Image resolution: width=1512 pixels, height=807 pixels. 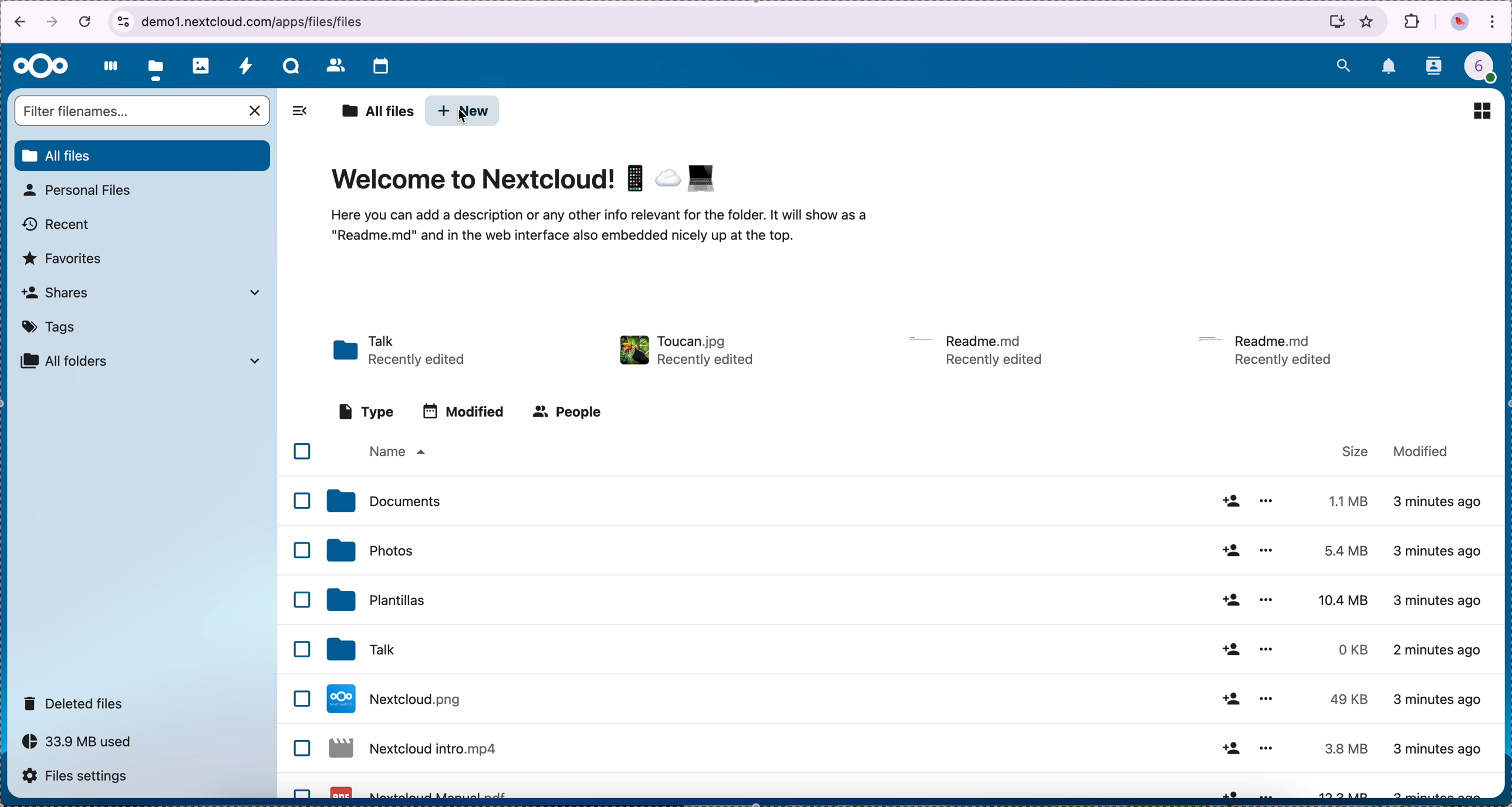 What do you see at coordinates (144, 156) in the screenshot?
I see `all files button` at bounding box center [144, 156].